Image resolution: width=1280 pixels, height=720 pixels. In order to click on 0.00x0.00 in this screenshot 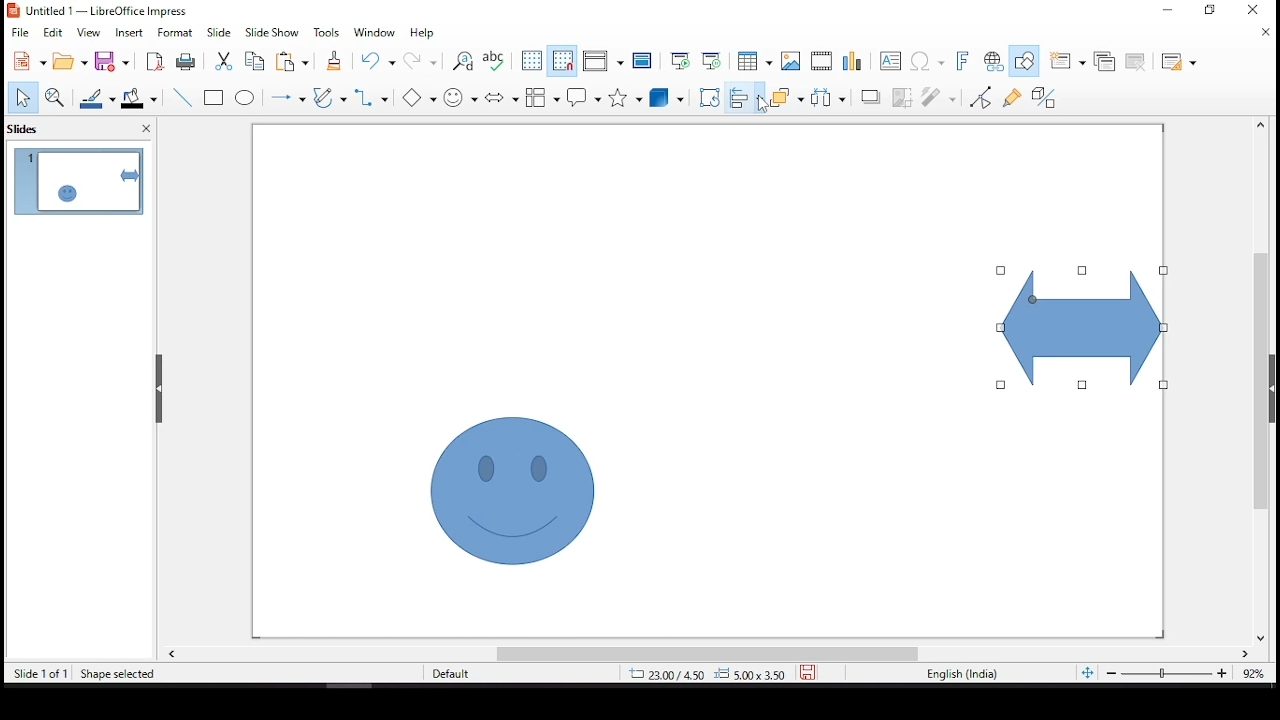, I will do `click(749, 673)`.